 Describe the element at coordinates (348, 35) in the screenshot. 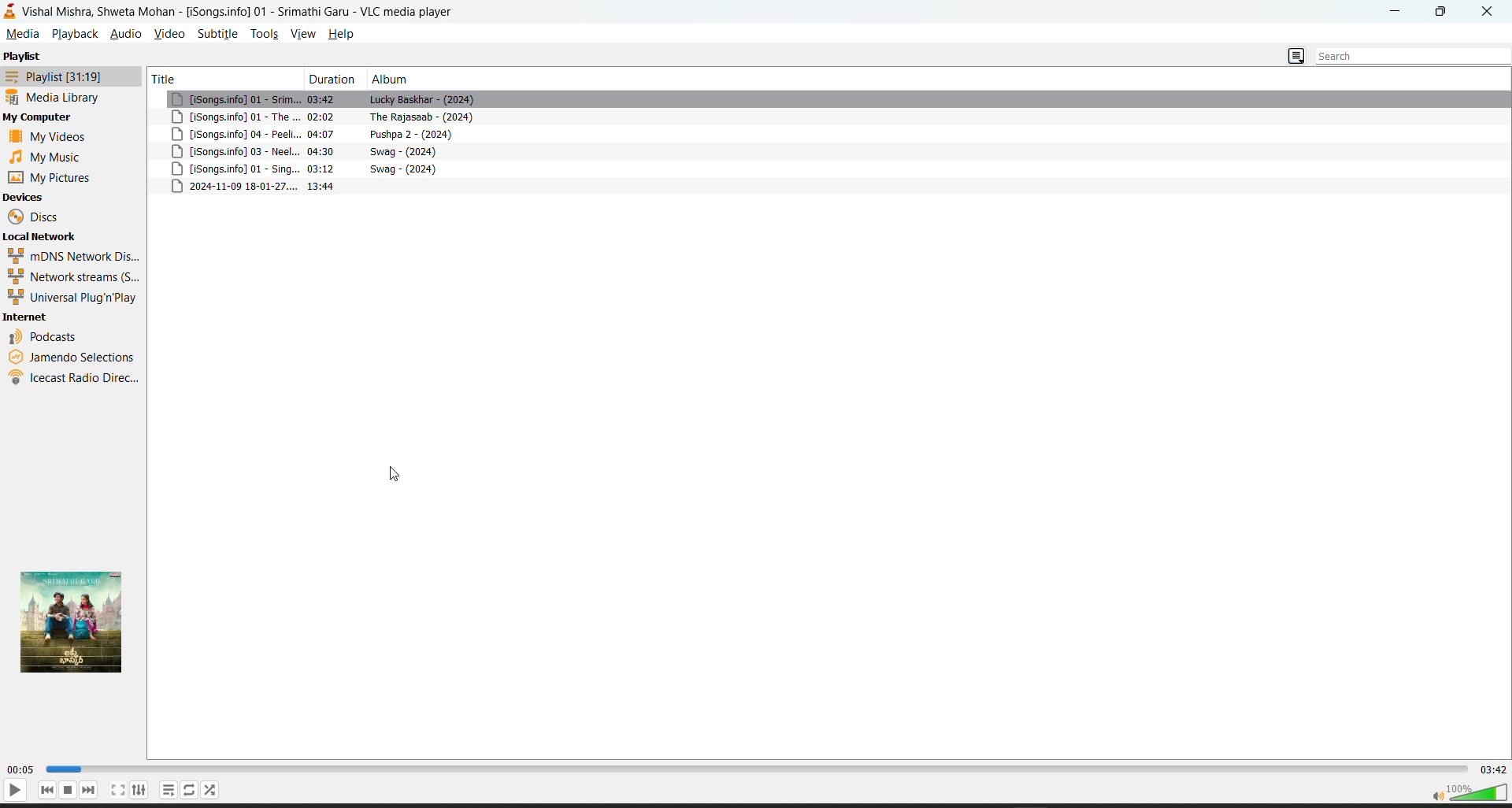

I see `help` at that location.